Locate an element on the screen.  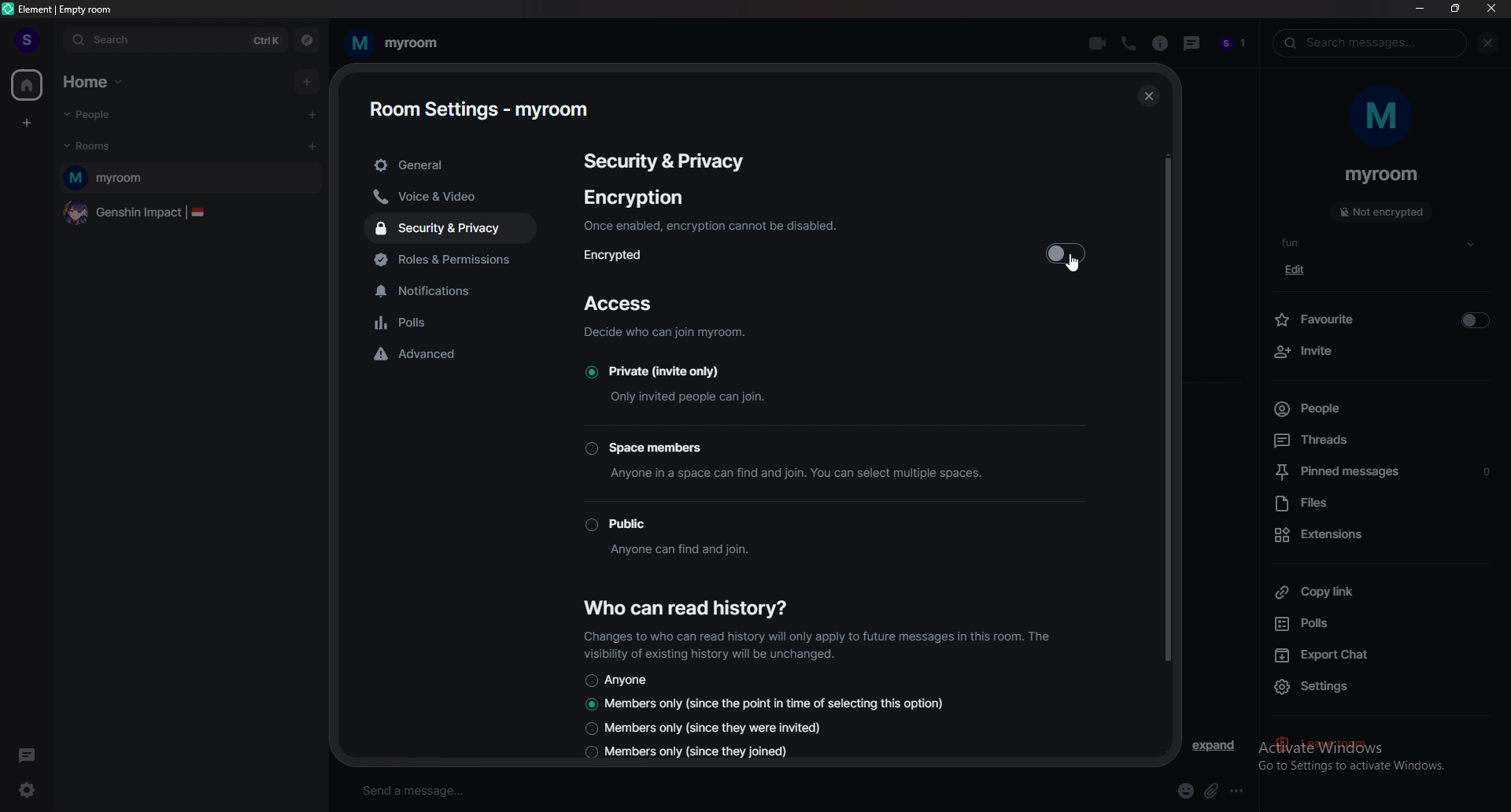
profile is located at coordinates (23, 35).